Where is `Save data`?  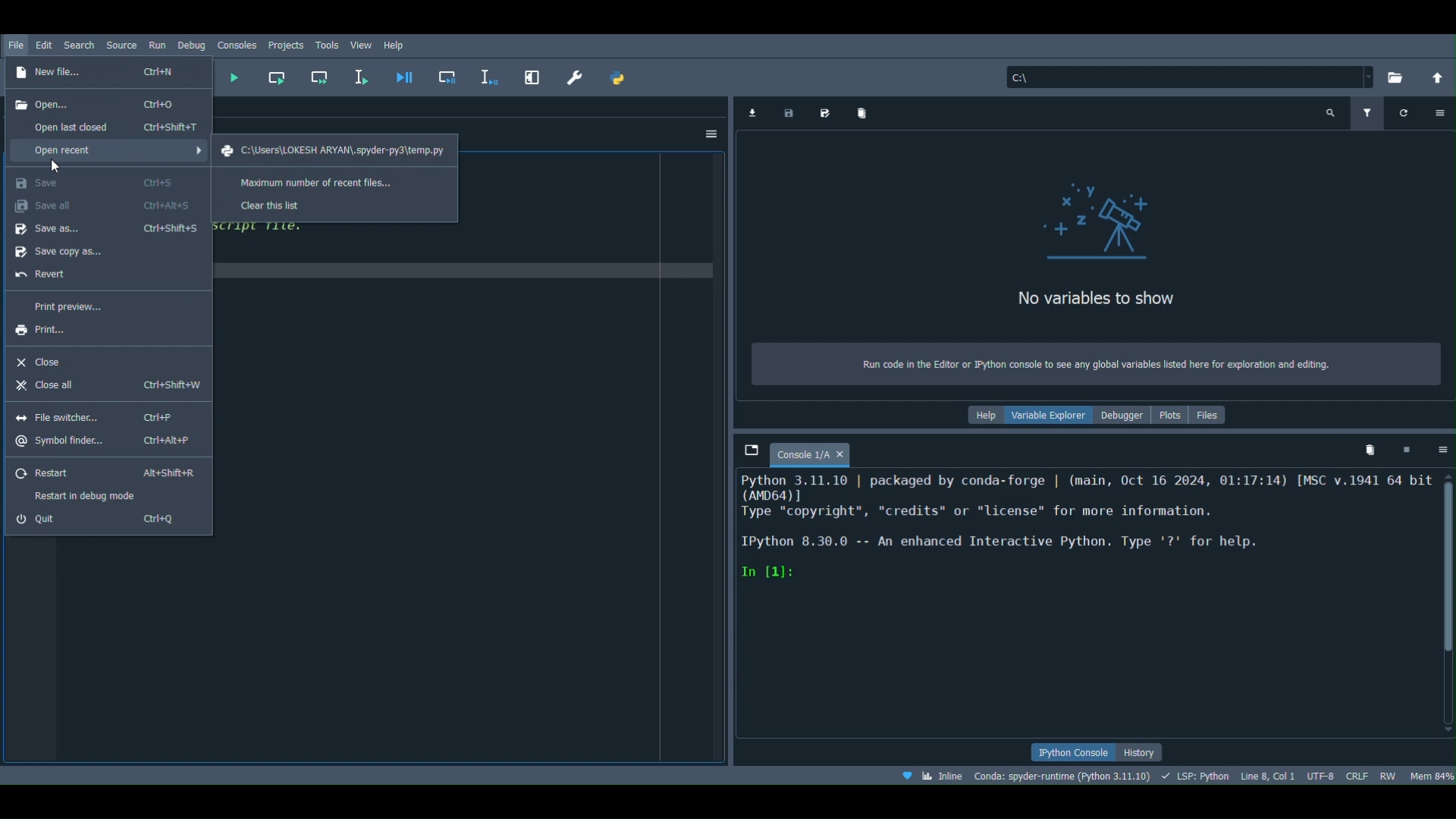
Save data is located at coordinates (789, 112).